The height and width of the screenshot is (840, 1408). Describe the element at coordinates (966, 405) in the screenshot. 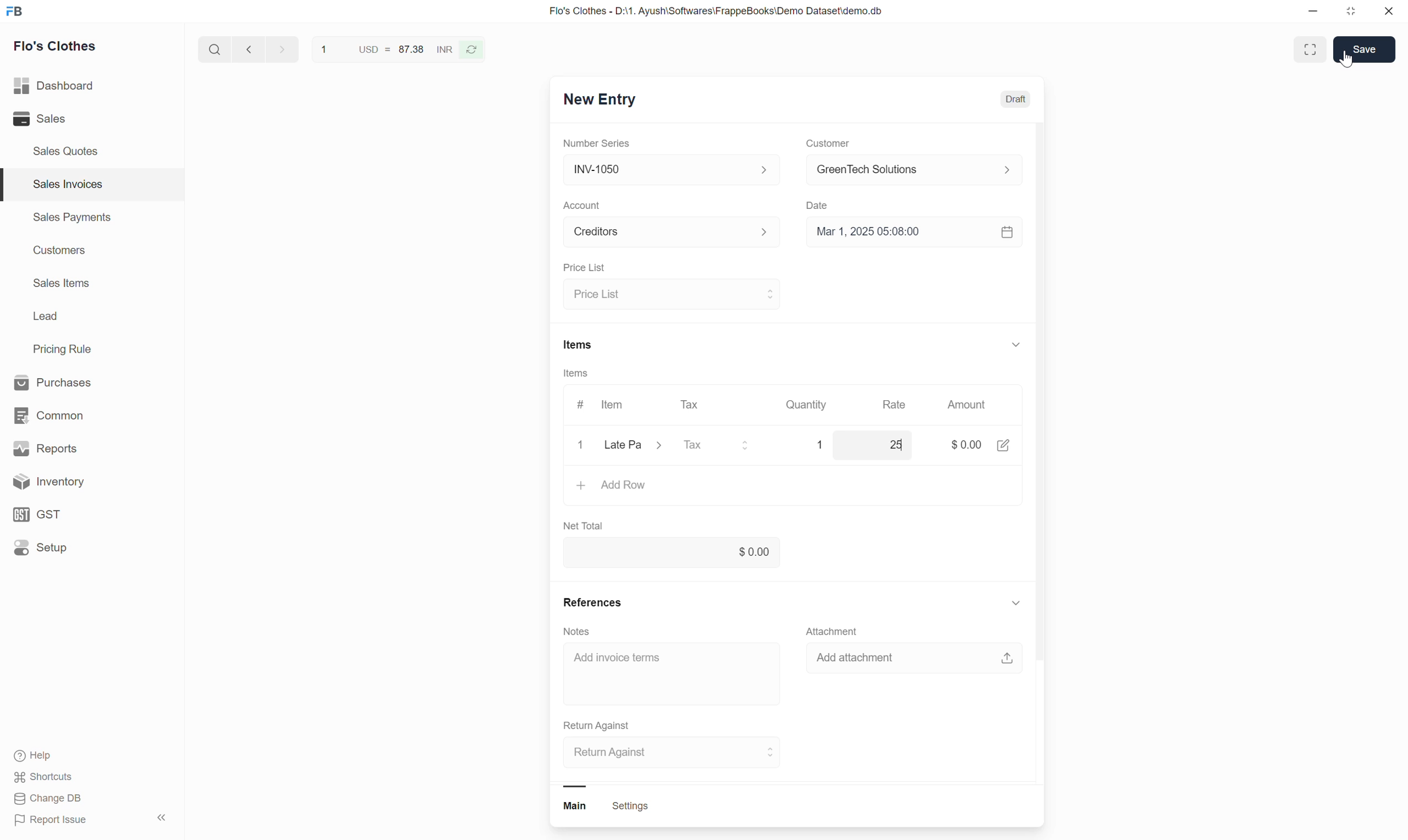

I see `Amount` at that location.